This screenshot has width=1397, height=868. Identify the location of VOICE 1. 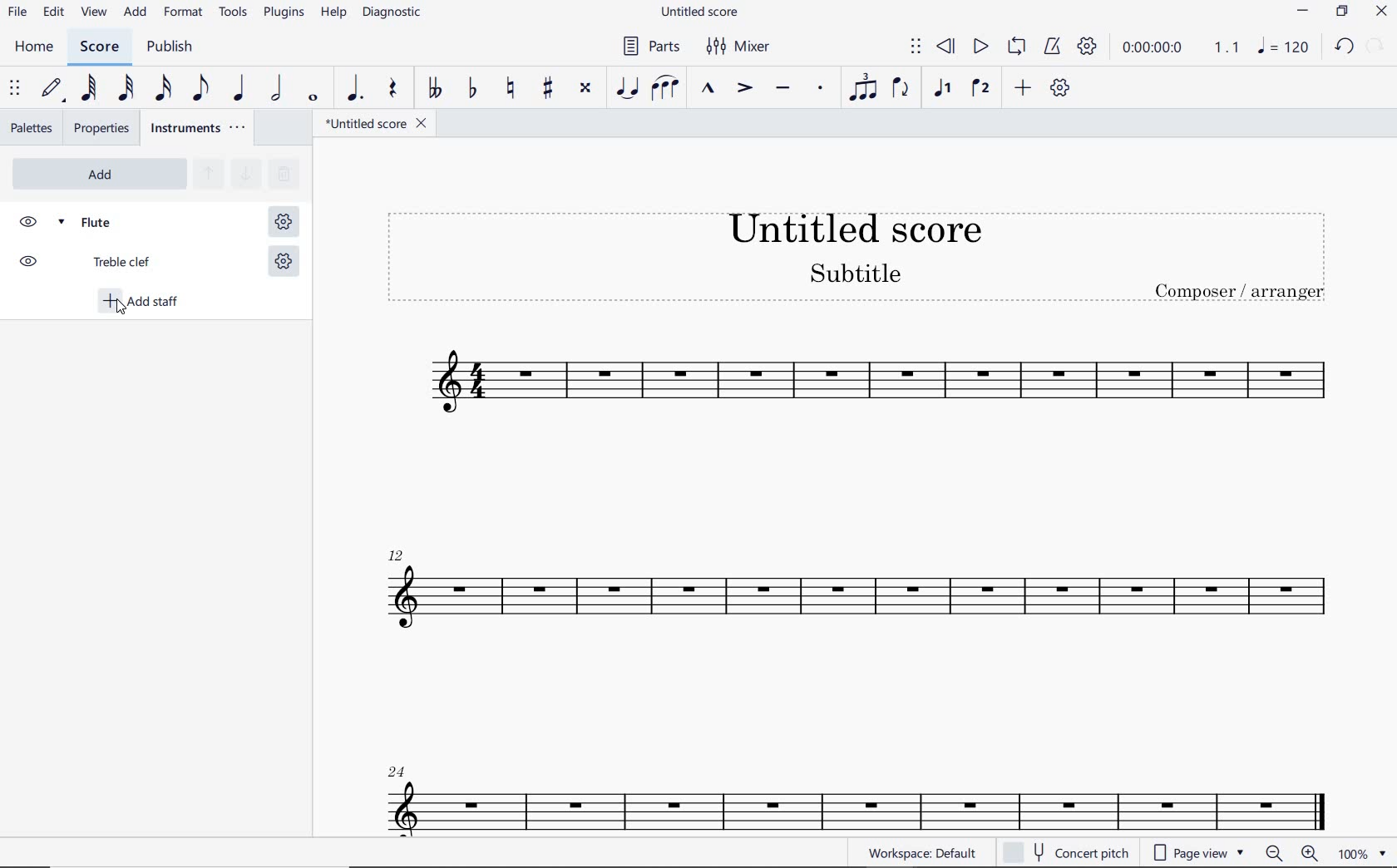
(941, 90).